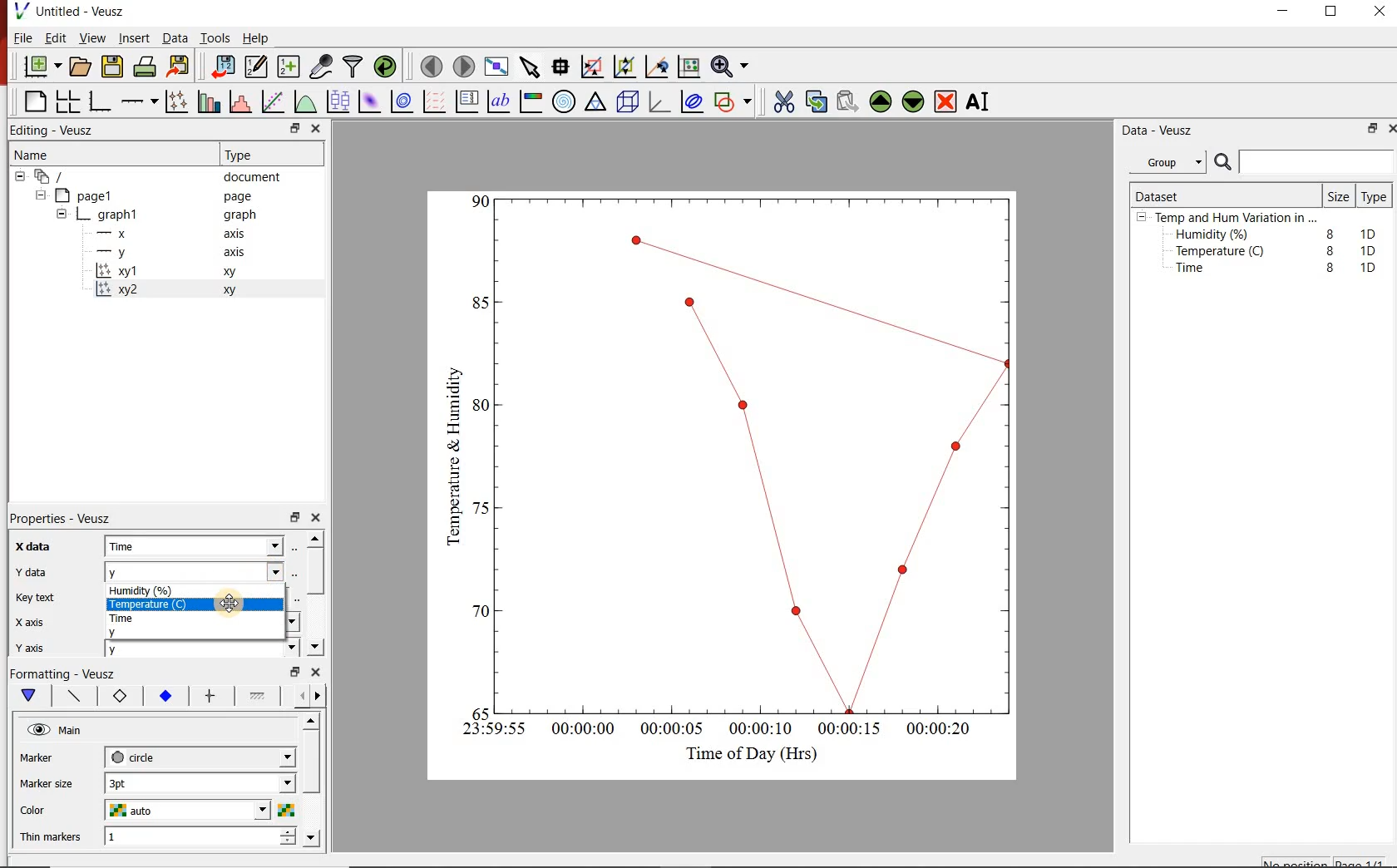 The height and width of the screenshot is (868, 1397). What do you see at coordinates (1142, 219) in the screenshot?
I see `hide sub menu` at bounding box center [1142, 219].